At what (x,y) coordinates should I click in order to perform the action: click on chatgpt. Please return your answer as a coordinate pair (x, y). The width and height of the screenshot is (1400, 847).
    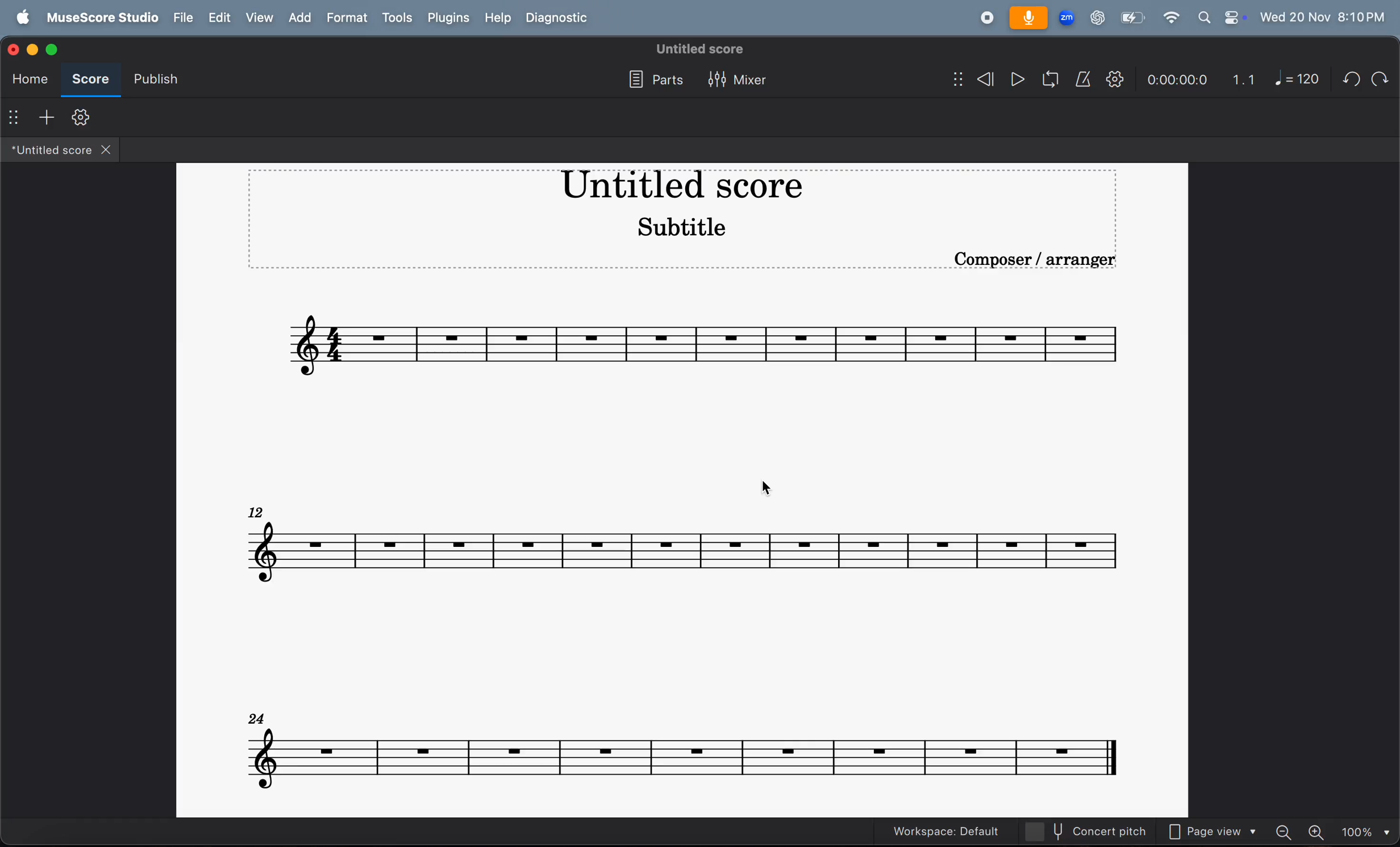
    Looking at the image, I should click on (1098, 17).